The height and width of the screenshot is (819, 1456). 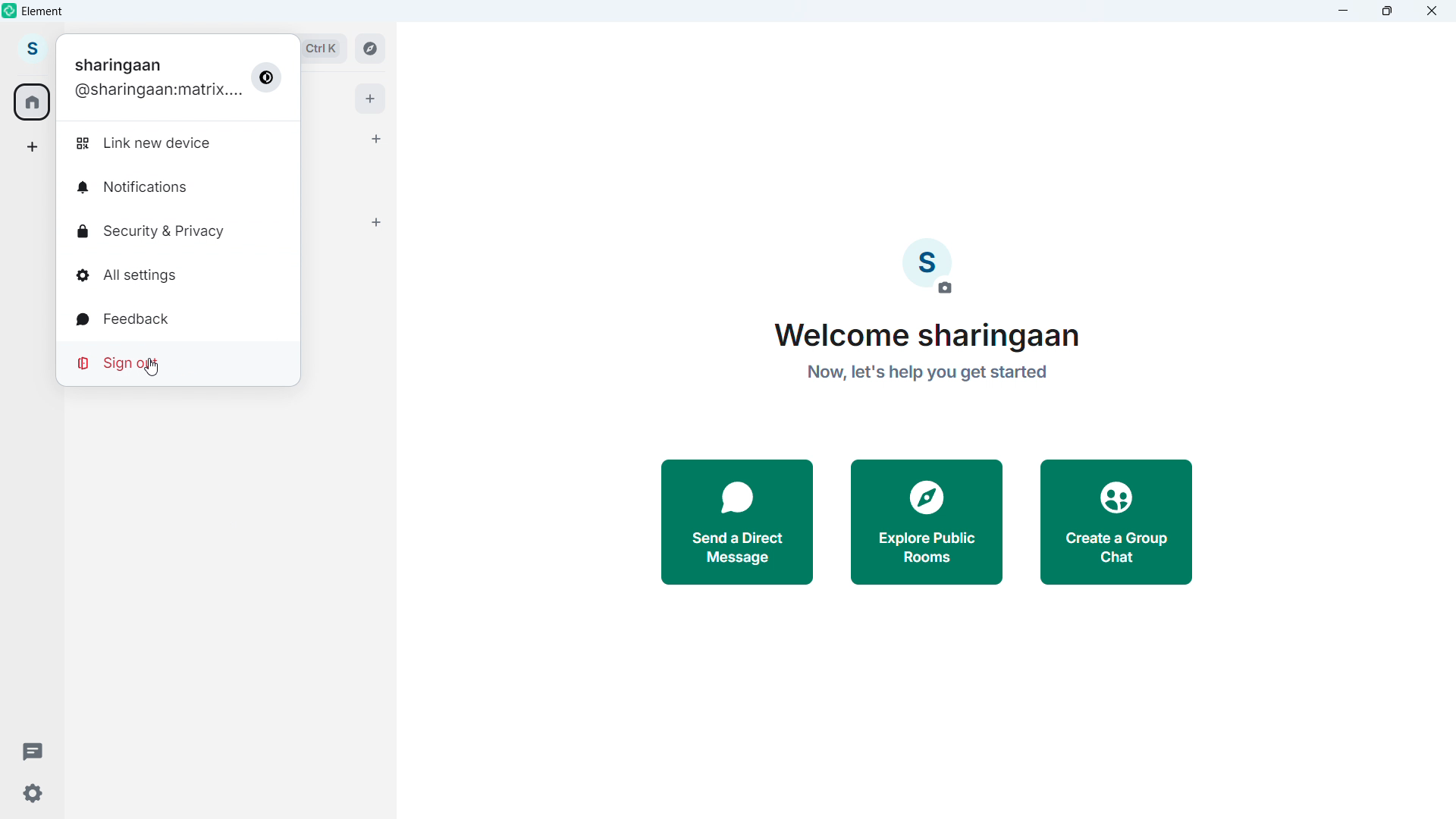 What do you see at coordinates (31, 794) in the screenshot?
I see `Settings ` at bounding box center [31, 794].